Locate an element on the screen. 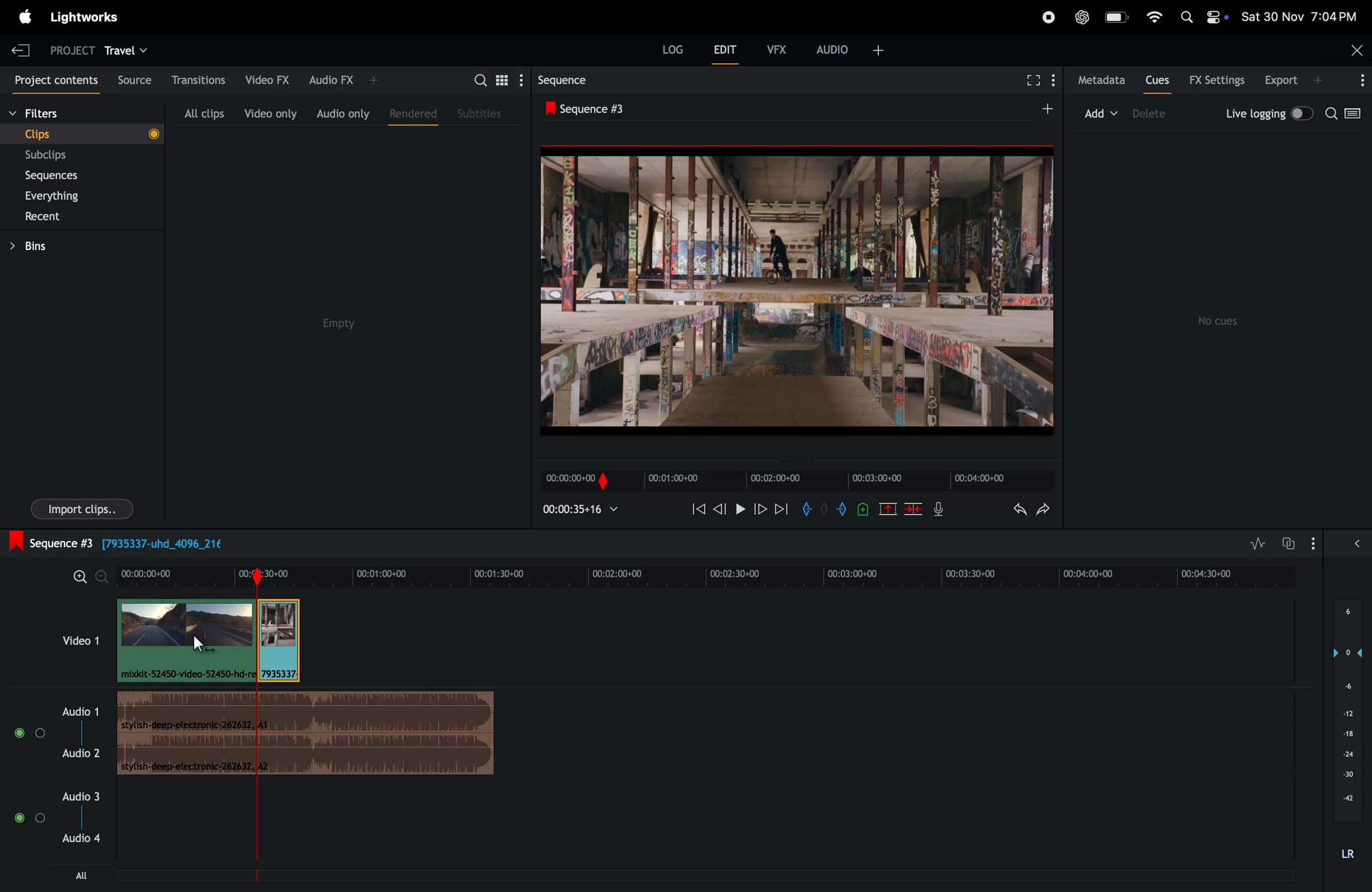 Image resolution: width=1372 pixels, height=892 pixels. sequence is located at coordinates (563, 78).